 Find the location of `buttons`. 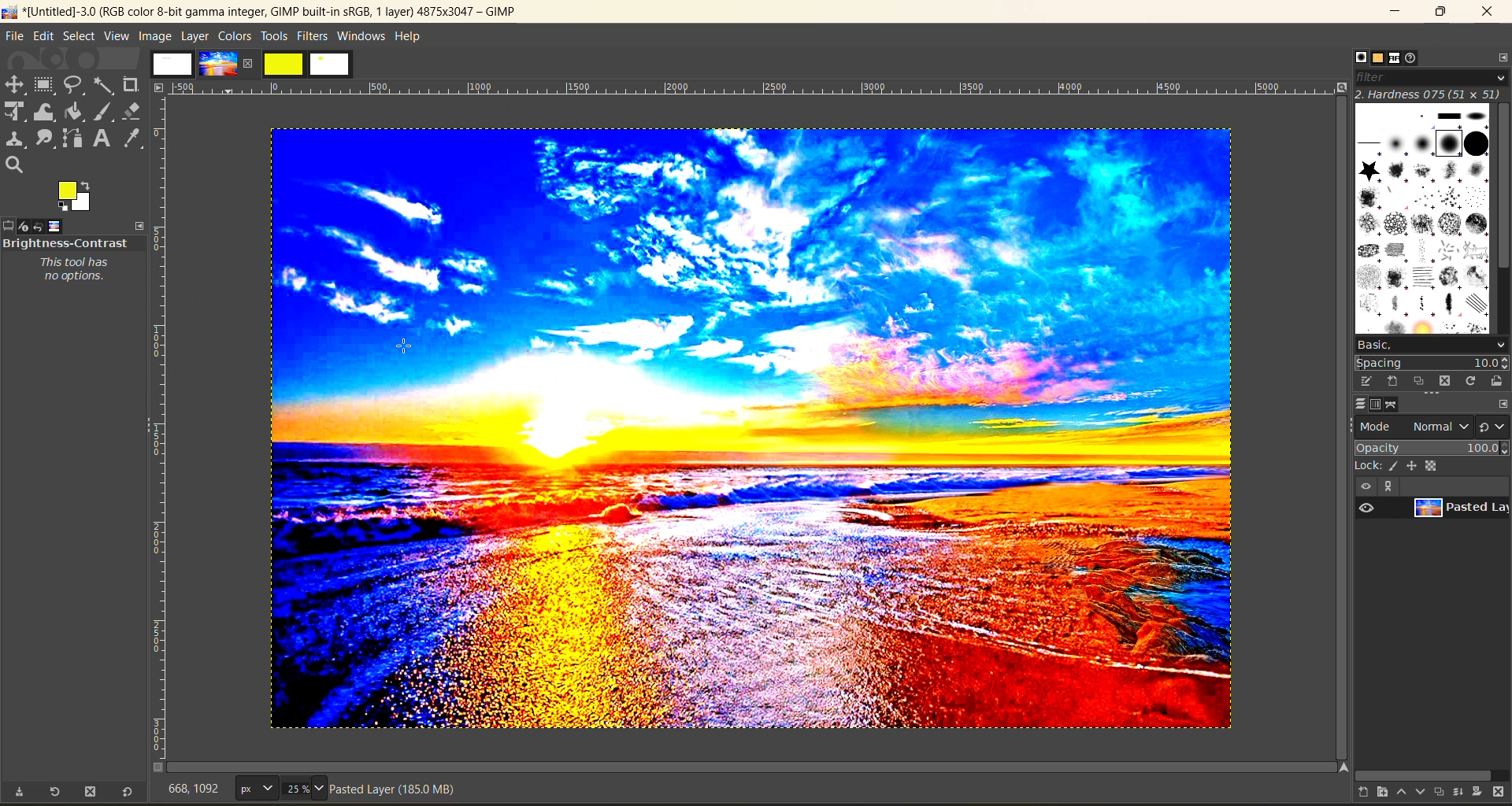

buttons is located at coordinates (1387, 487).